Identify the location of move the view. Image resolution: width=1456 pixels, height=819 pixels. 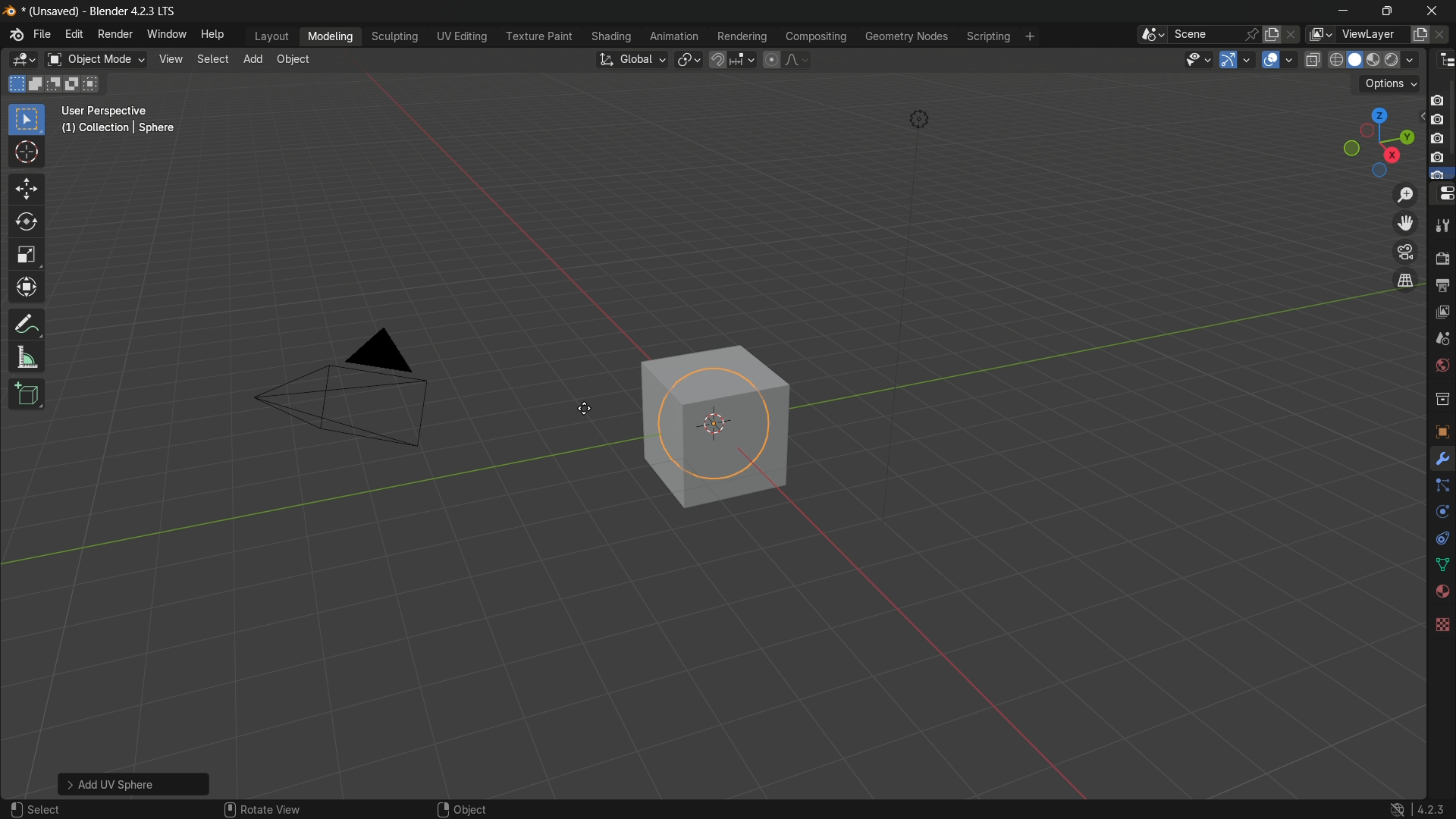
(1404, 224).